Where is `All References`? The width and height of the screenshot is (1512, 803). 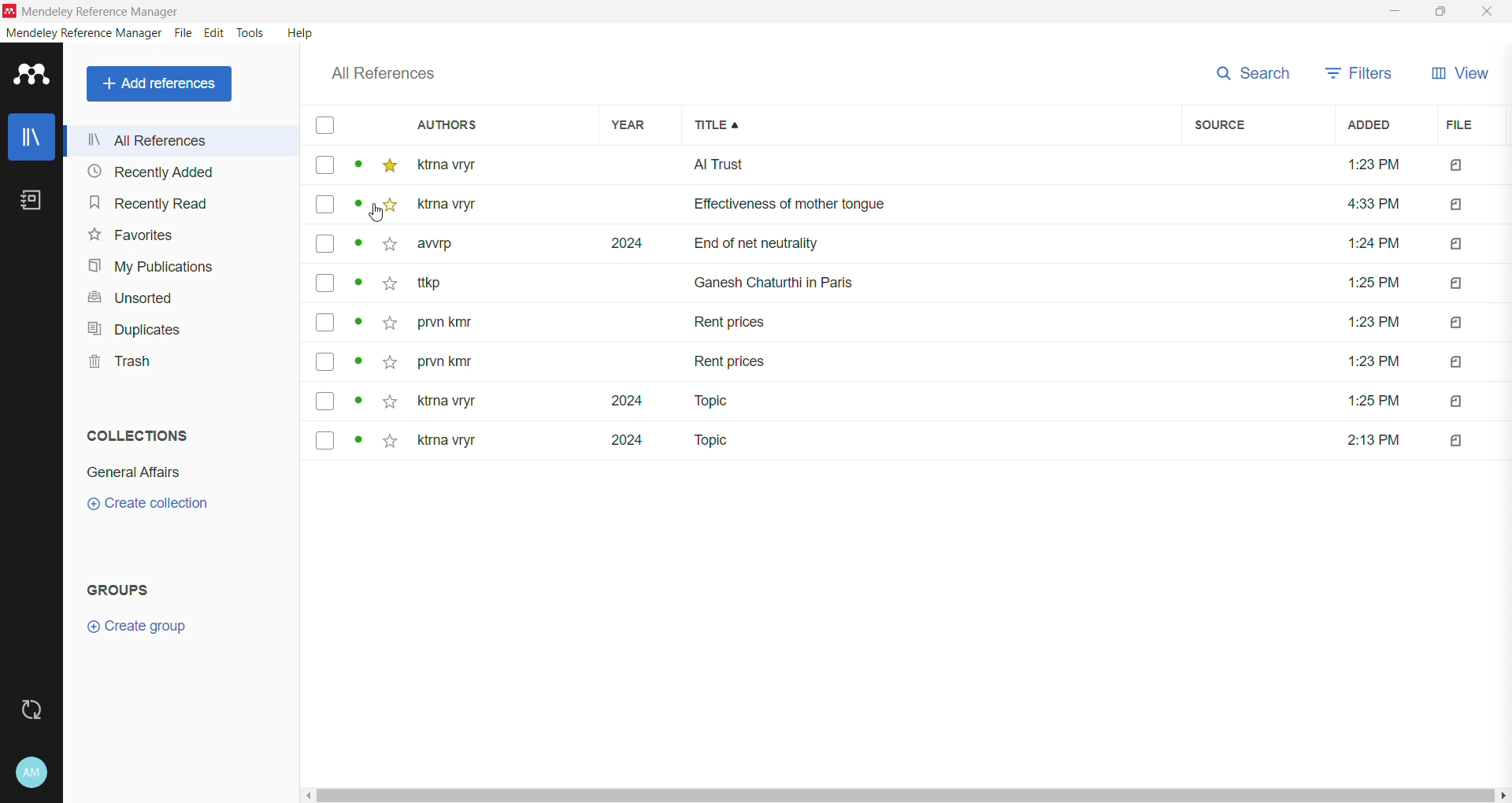
All References is located at coordinates (183, 140).